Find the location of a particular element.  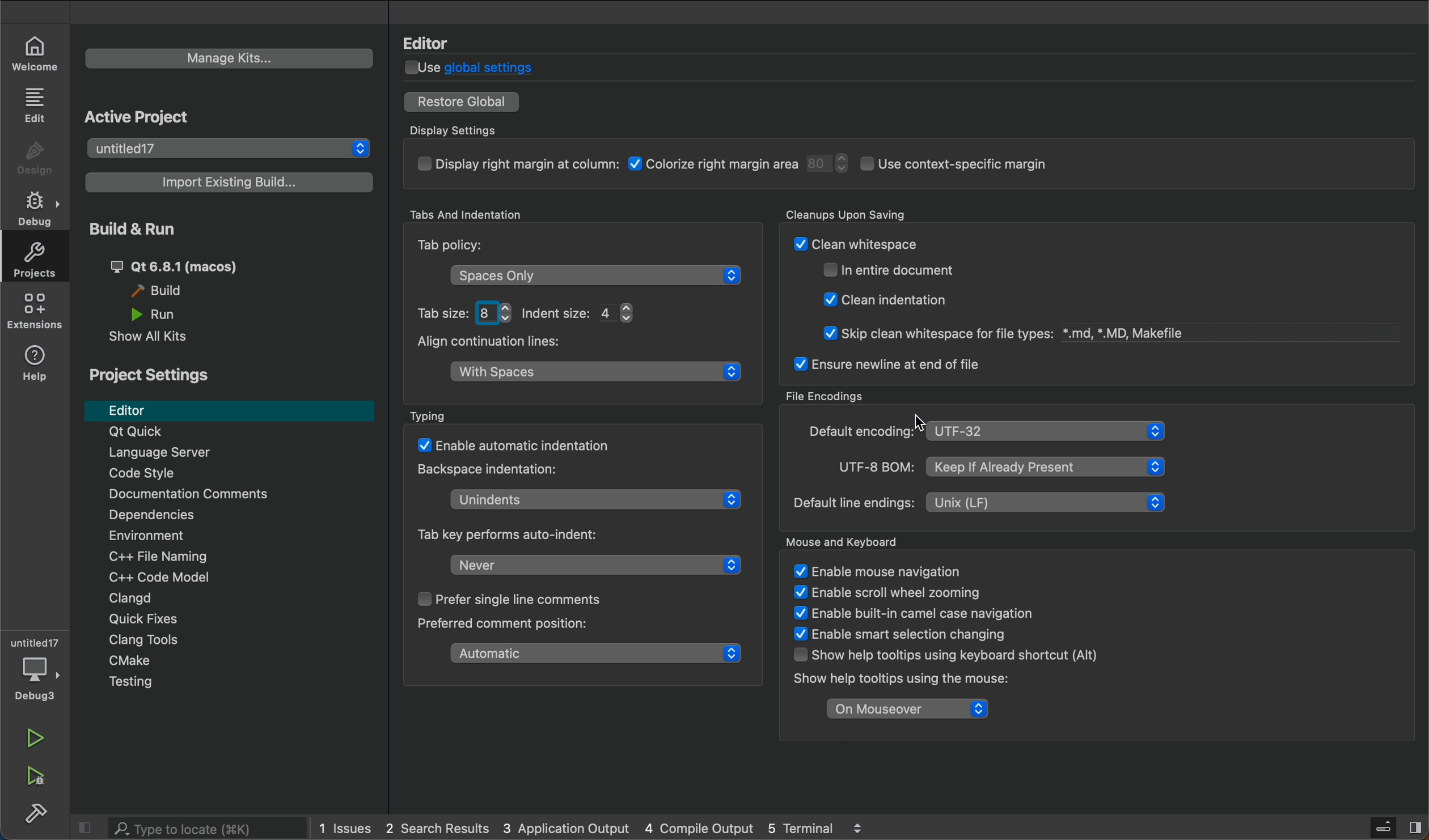

search result is located at coordinates (439, 826).